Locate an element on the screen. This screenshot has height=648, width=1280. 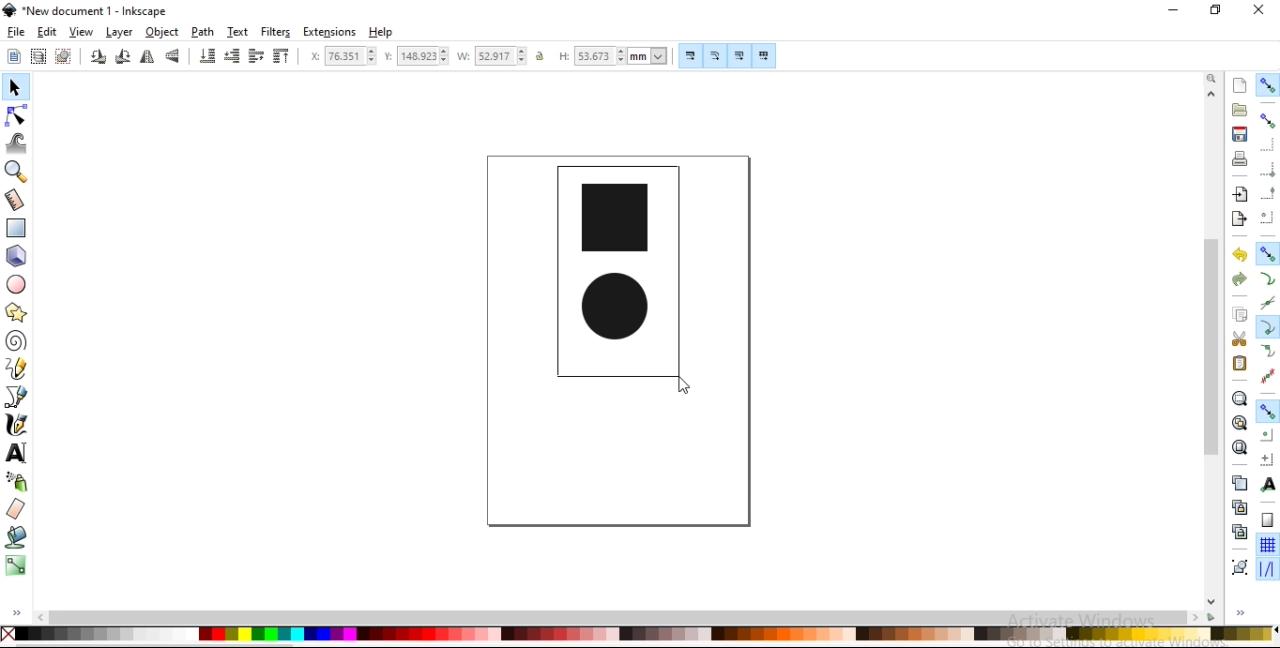
vertical coordinate of selection is located at coordinates (414, 58).